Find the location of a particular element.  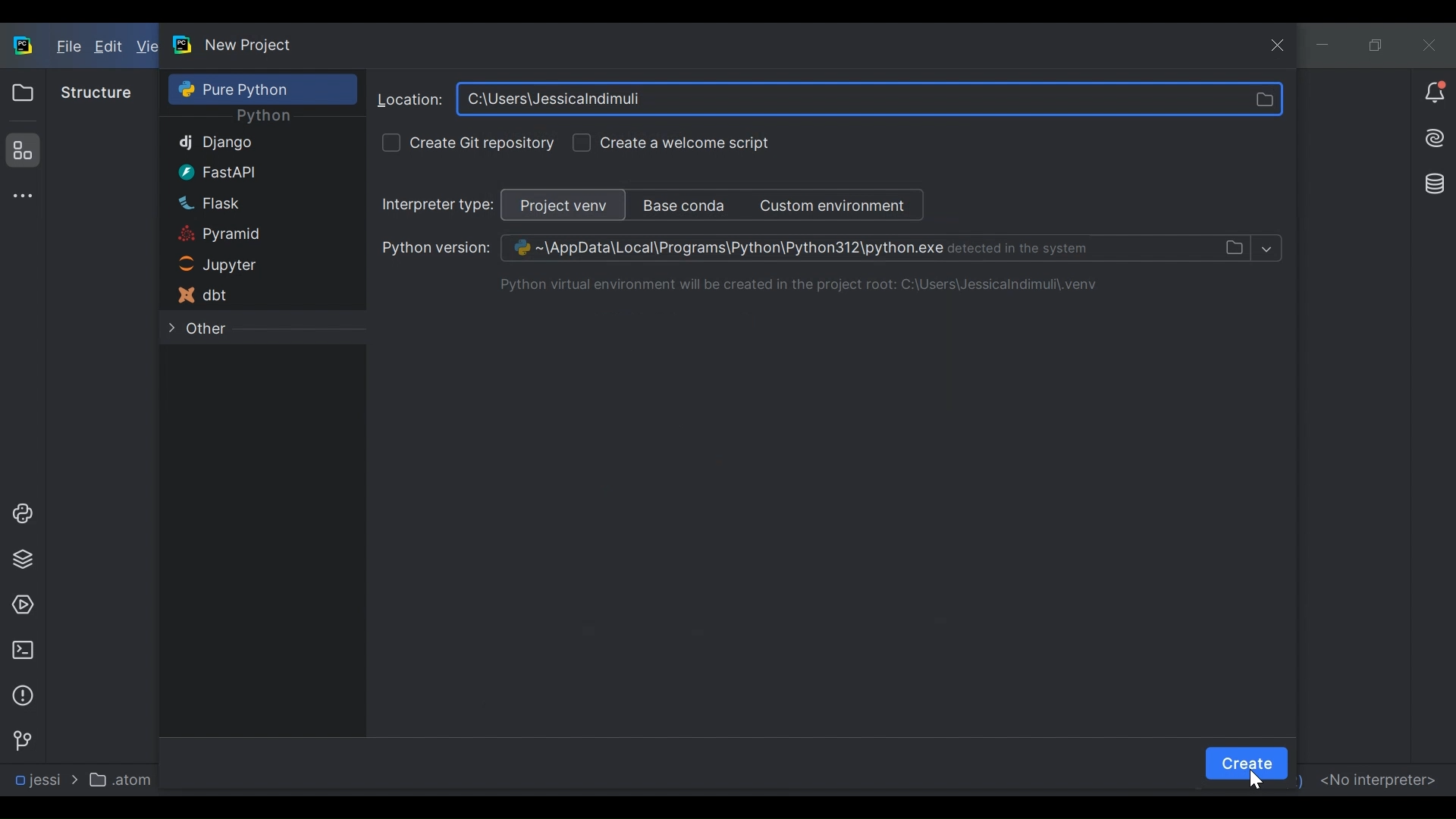

PyCharm is located at coordinates (184, 44).